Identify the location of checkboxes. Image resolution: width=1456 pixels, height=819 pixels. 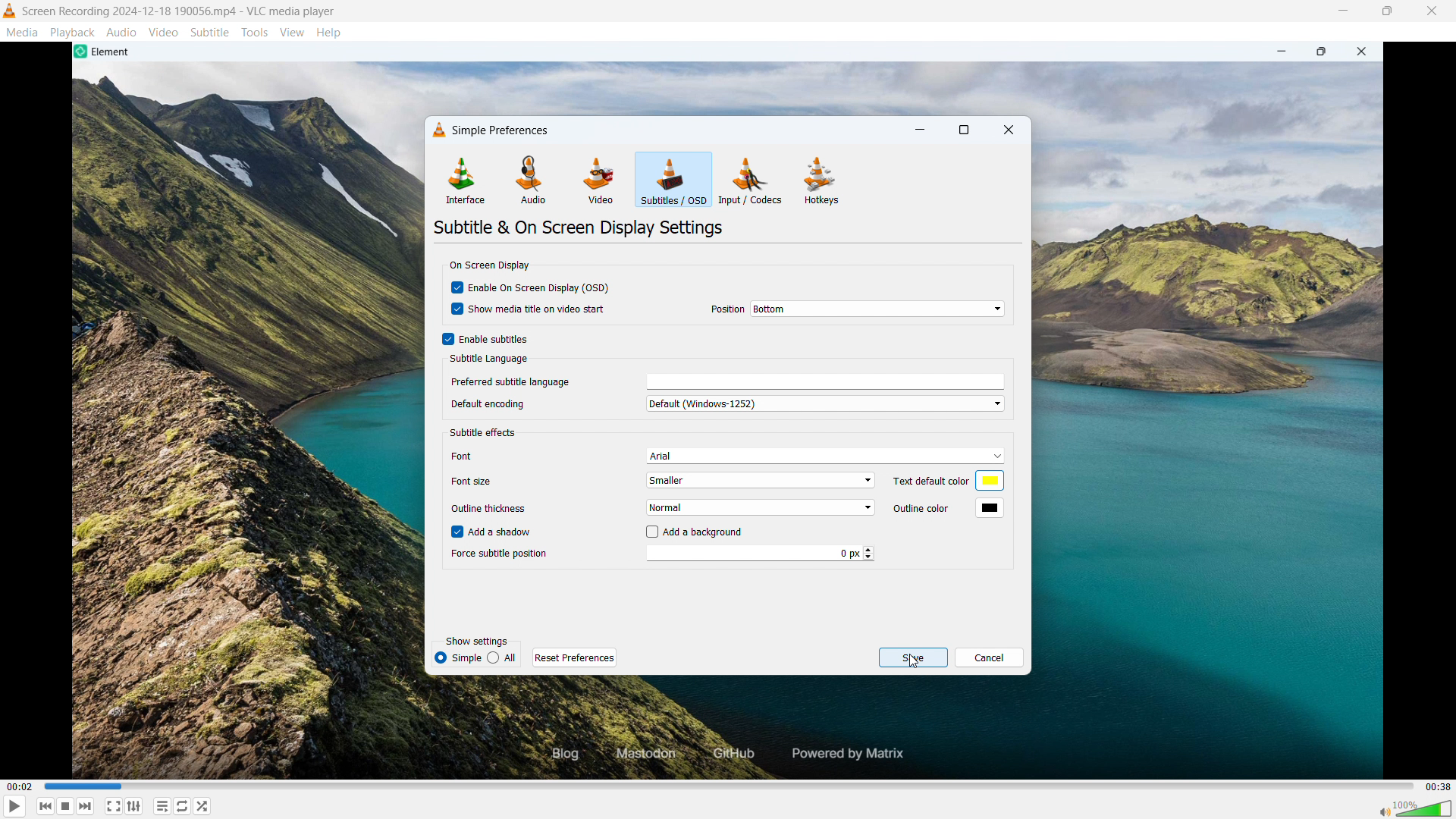
(453, 532).